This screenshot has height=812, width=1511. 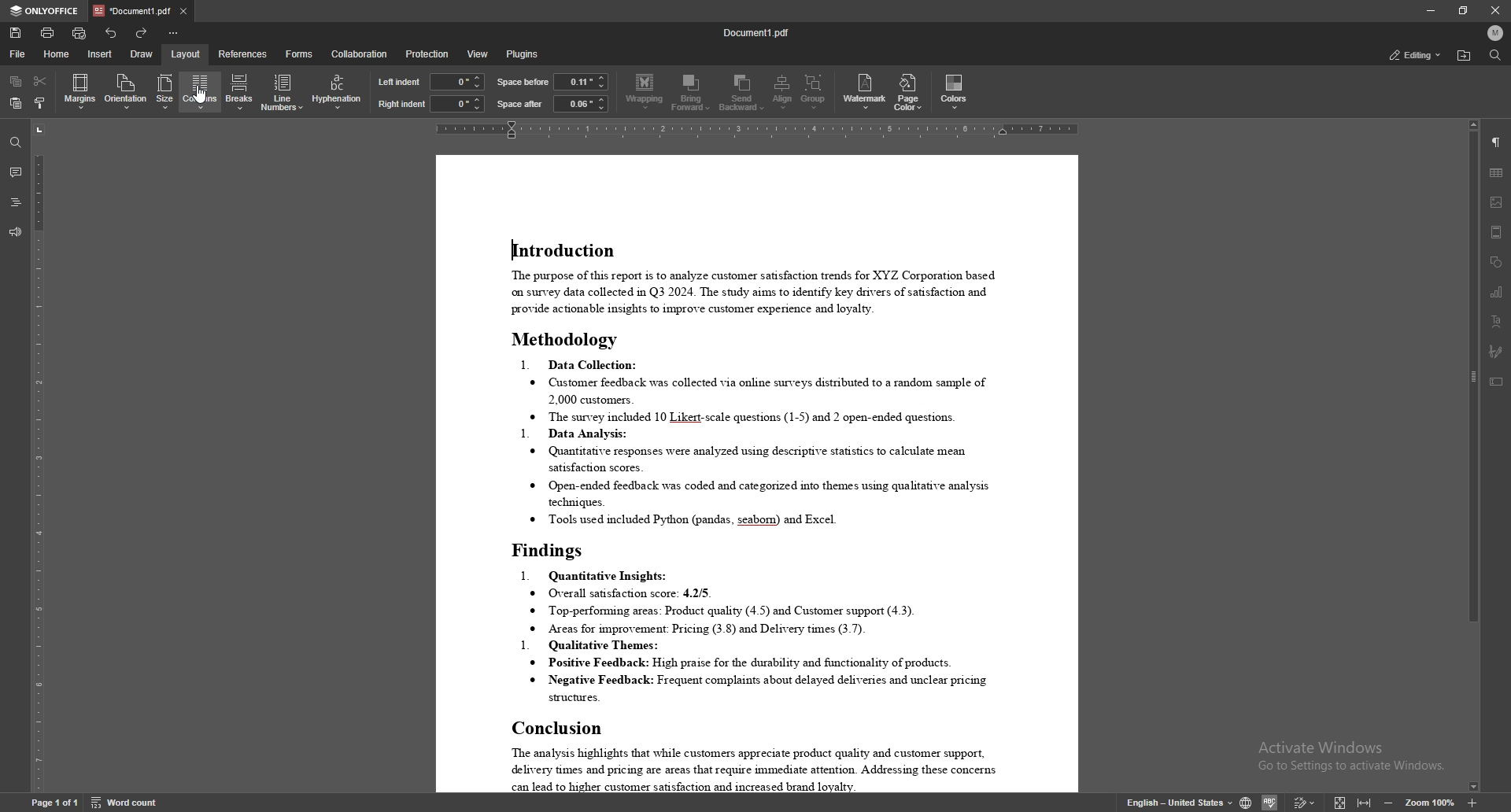 I want to click on file name, so click(x=756, y=31).